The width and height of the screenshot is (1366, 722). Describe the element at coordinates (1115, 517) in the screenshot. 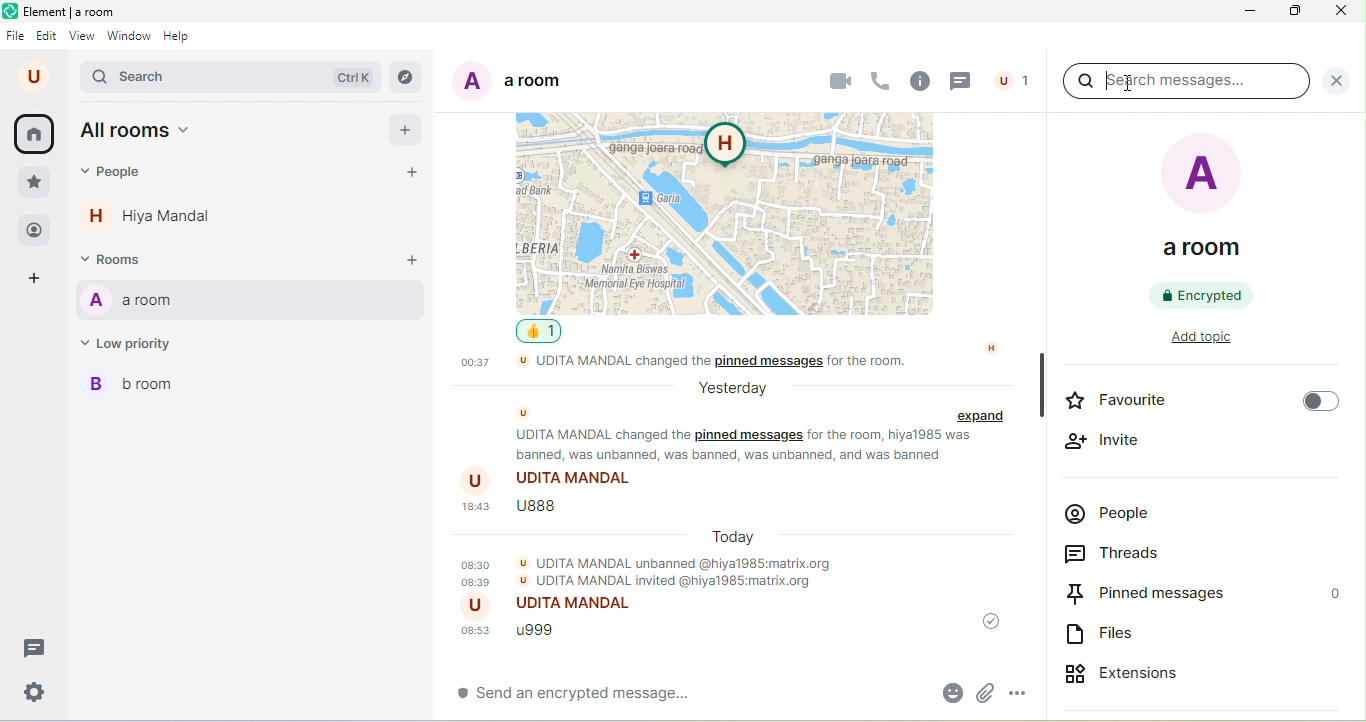

I see `people` at that location.